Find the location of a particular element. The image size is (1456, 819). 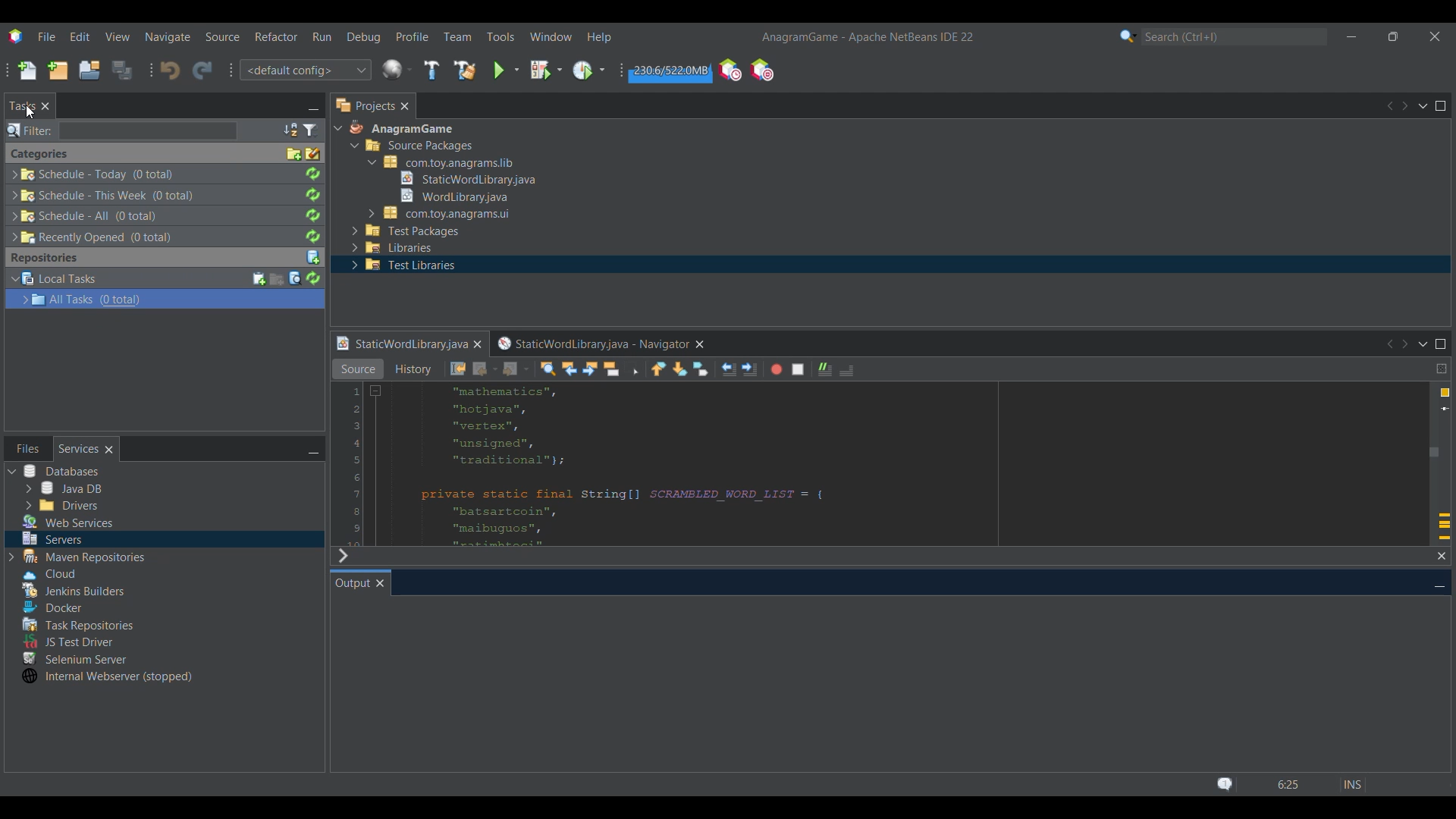

Show in a smaller tab is located at coordinates (1393, 36).